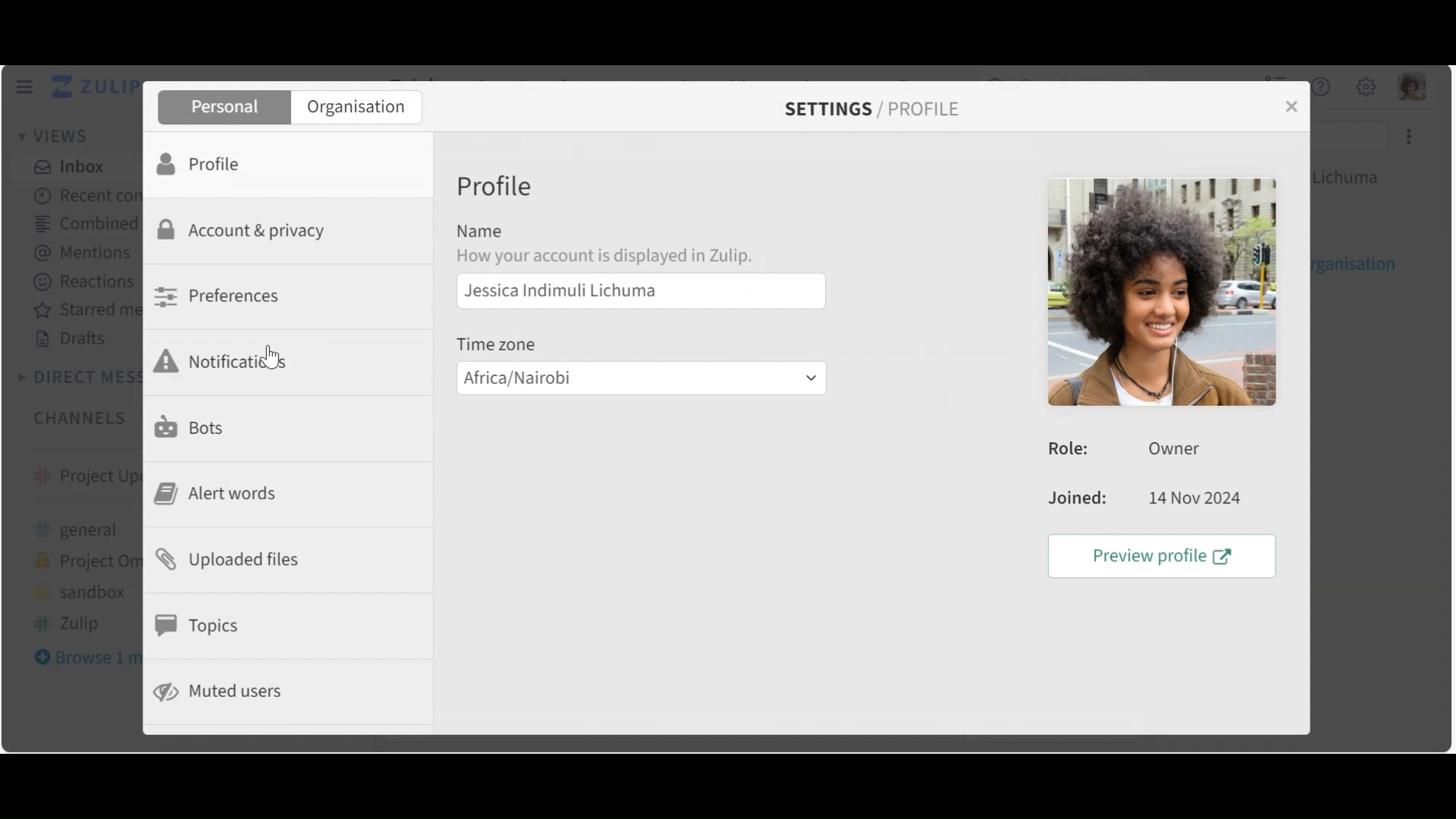  Describe the element at coordinates (204, 162) in the screenshot. I see `Profile` at that location.